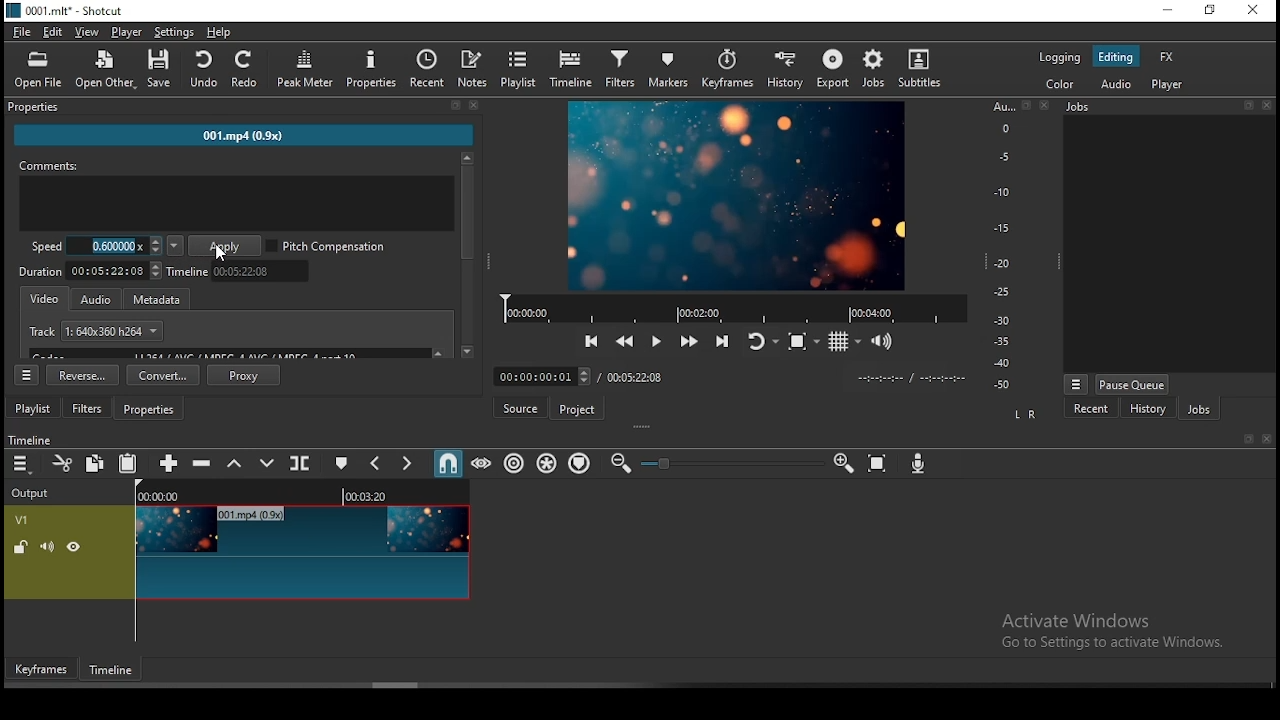 This screenshot has height=720, width=1280. What do you see at coordinates (619, 464) in the screenshot?
I see `zoom timeline out` at bounding box center [619, 464].